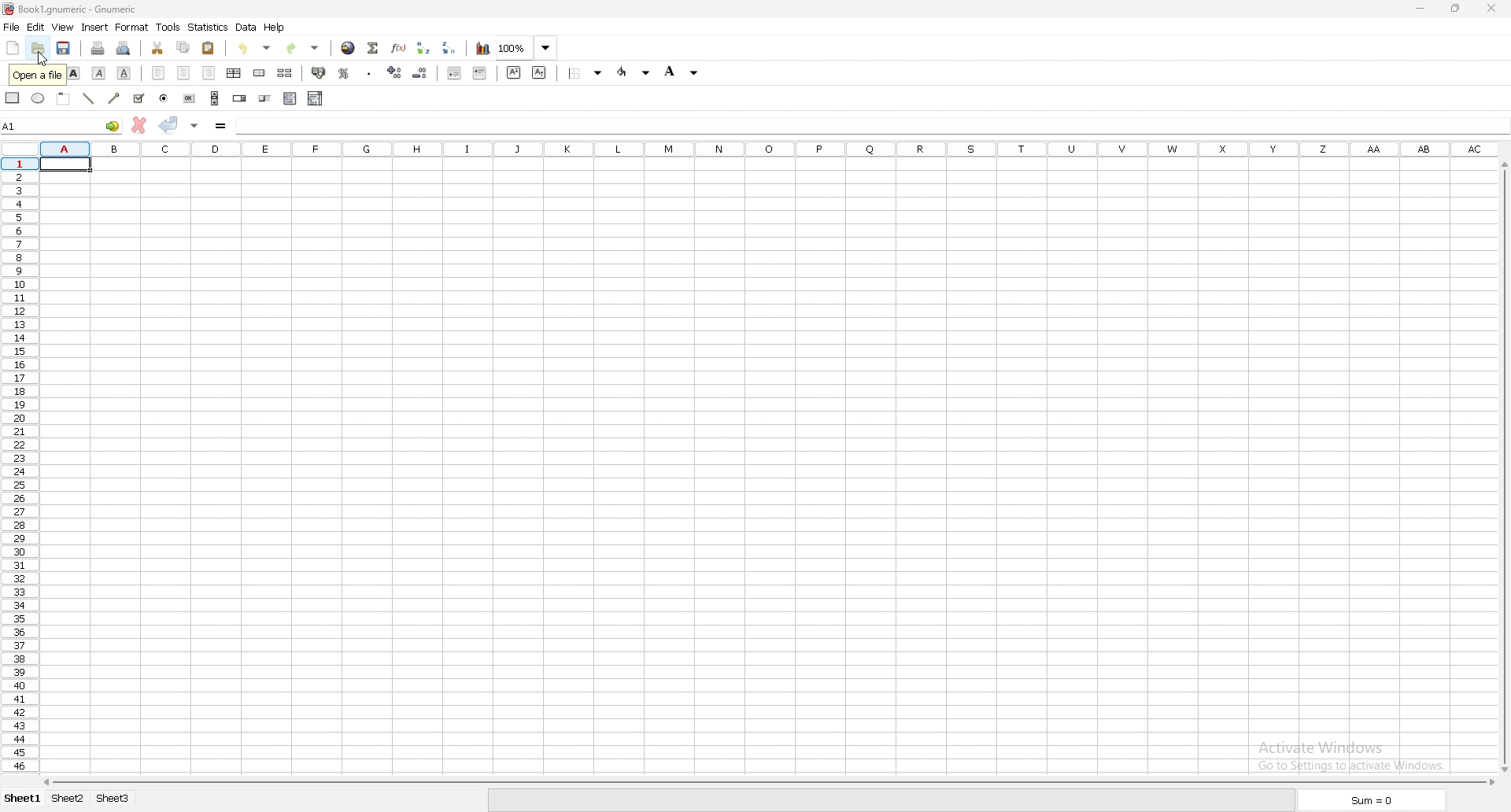  I want to click on cut, so click(157, 49).